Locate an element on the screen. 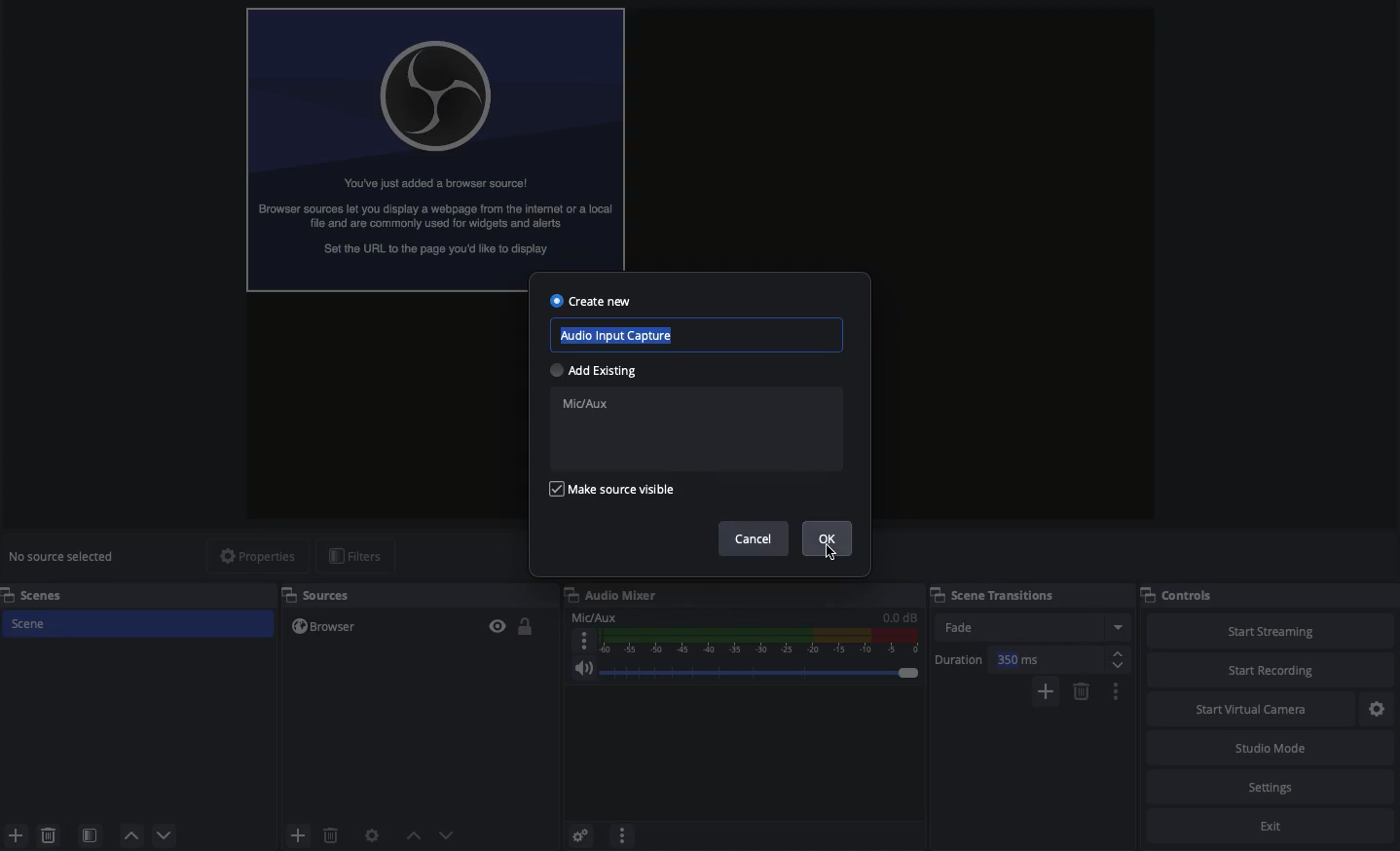 This screenshot has height=851, width=1400. Ok is located at coordinates (828, 539).